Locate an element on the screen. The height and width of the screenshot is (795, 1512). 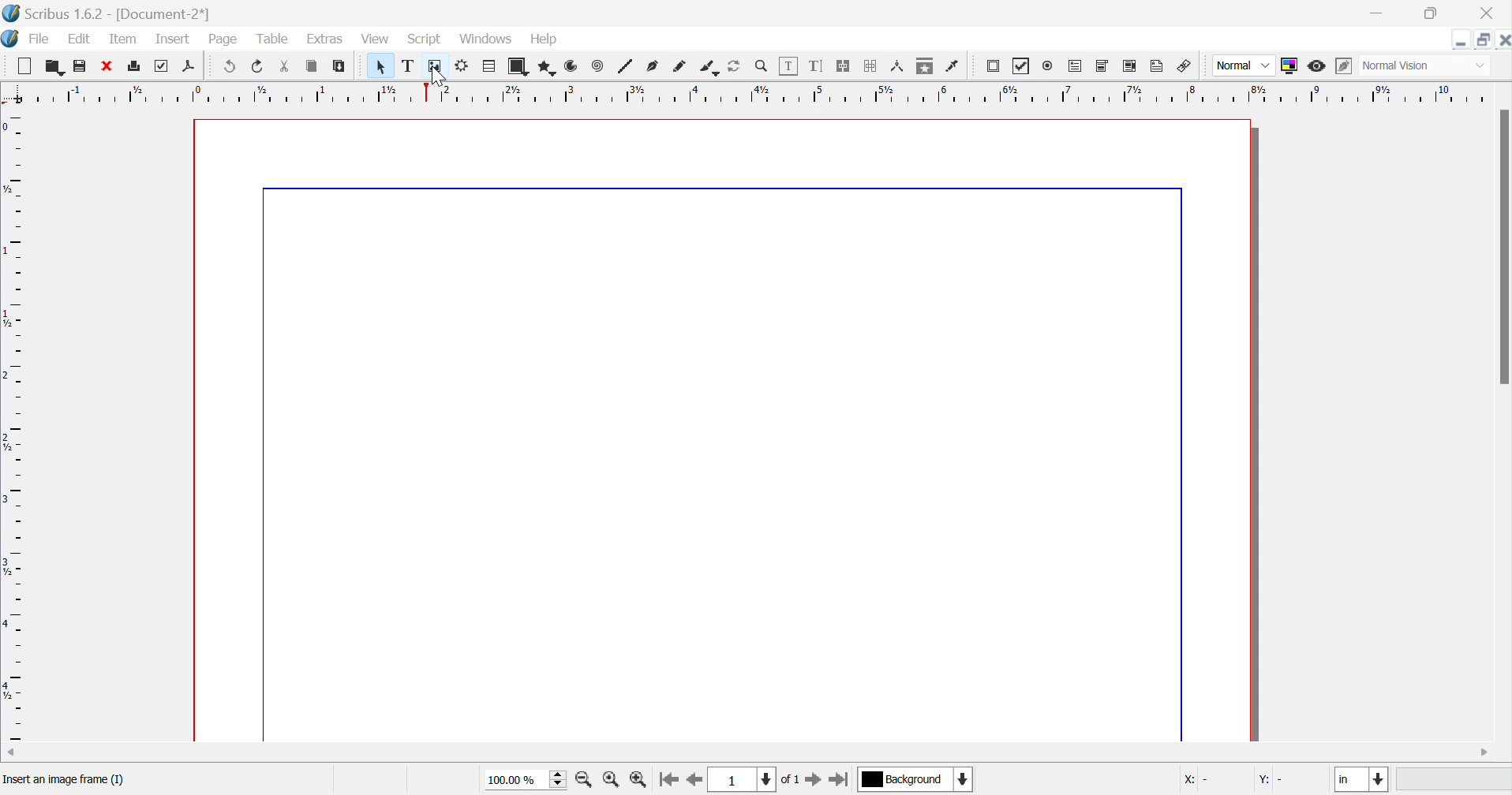
go to previous page is located at coordinates (693, 781).